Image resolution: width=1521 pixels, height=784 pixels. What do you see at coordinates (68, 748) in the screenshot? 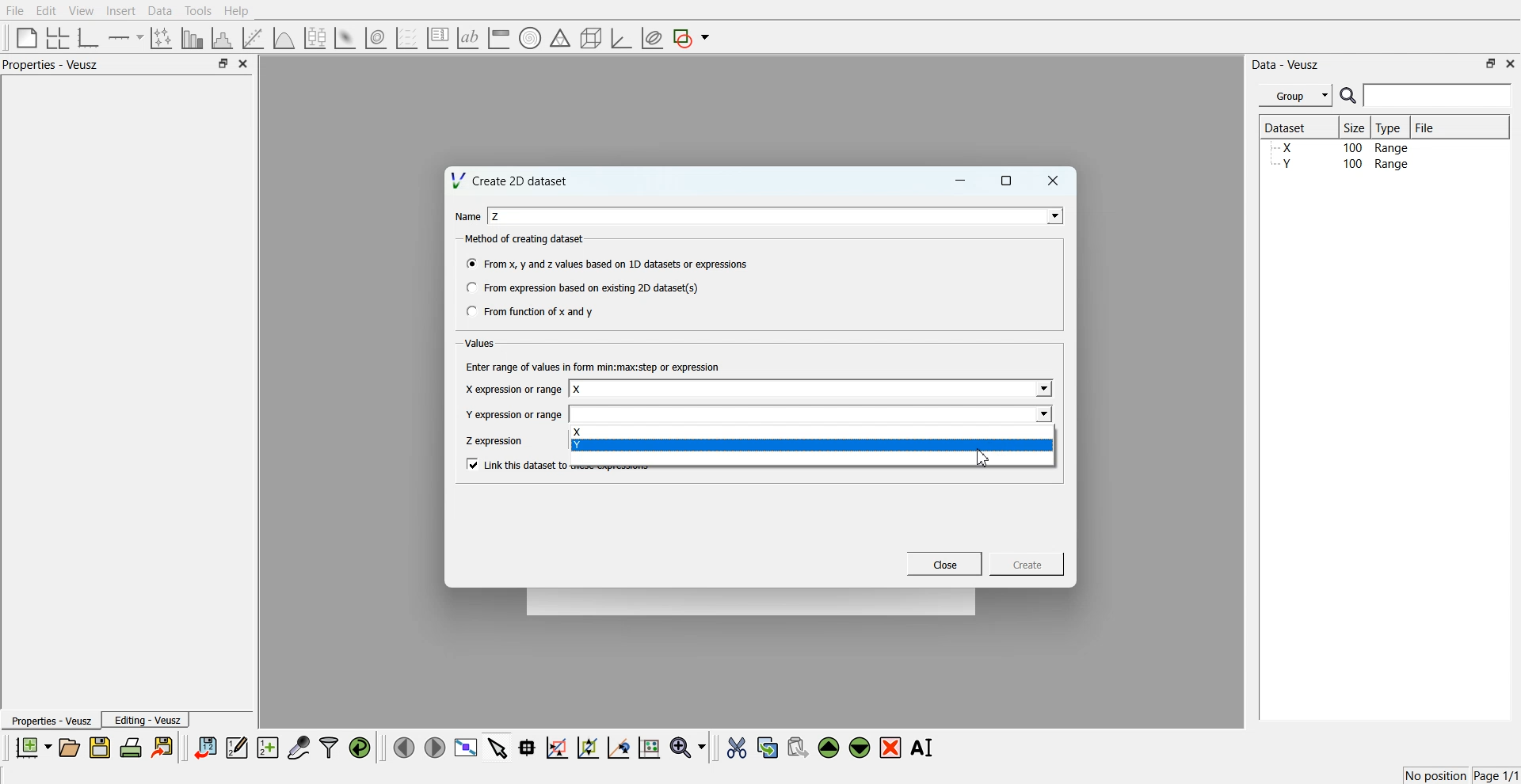
I see `Open the document` at bounding box center [68, 748].